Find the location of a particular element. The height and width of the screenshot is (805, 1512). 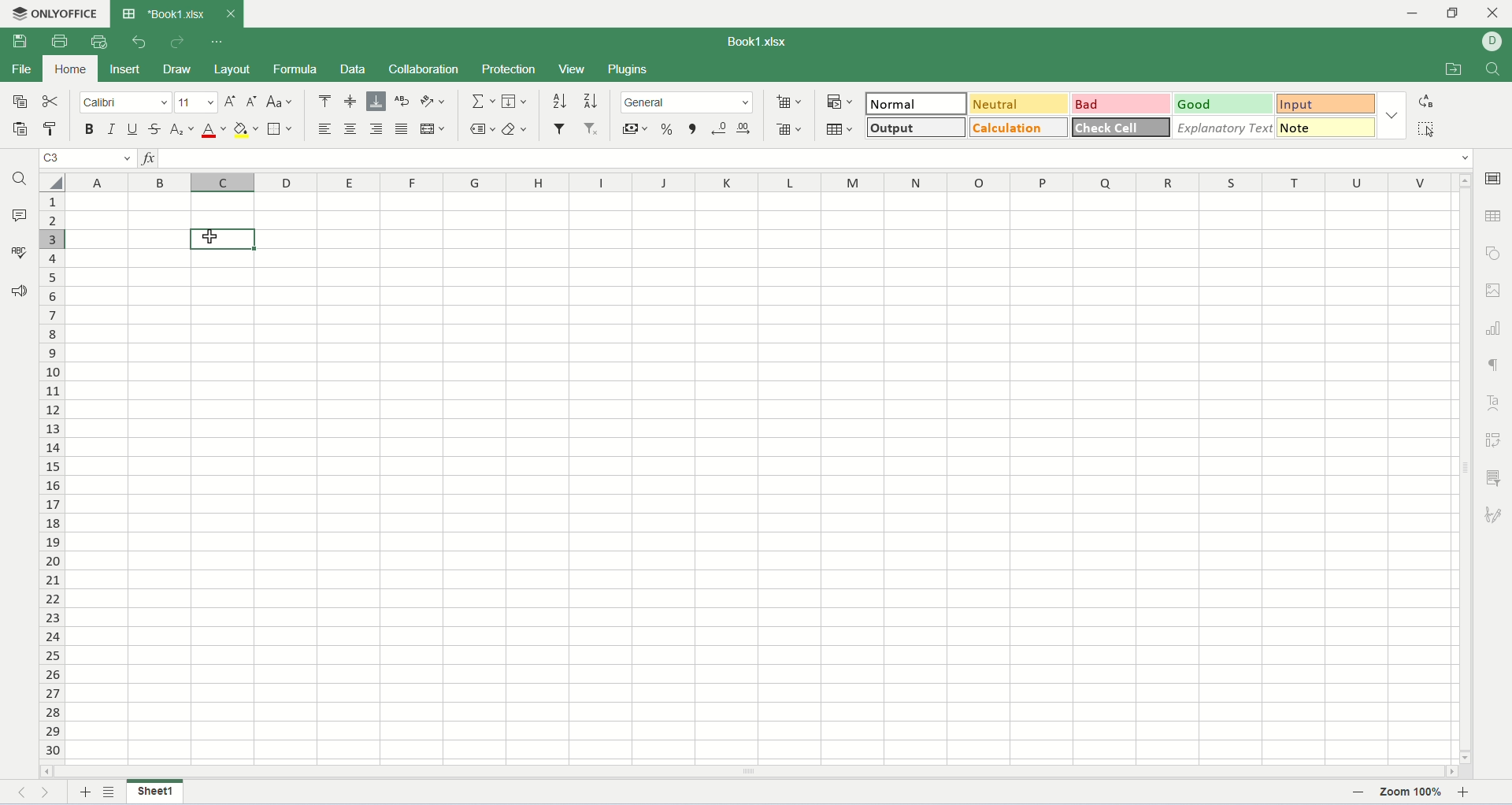

conditional formatting is located at coordinates (840, 102).